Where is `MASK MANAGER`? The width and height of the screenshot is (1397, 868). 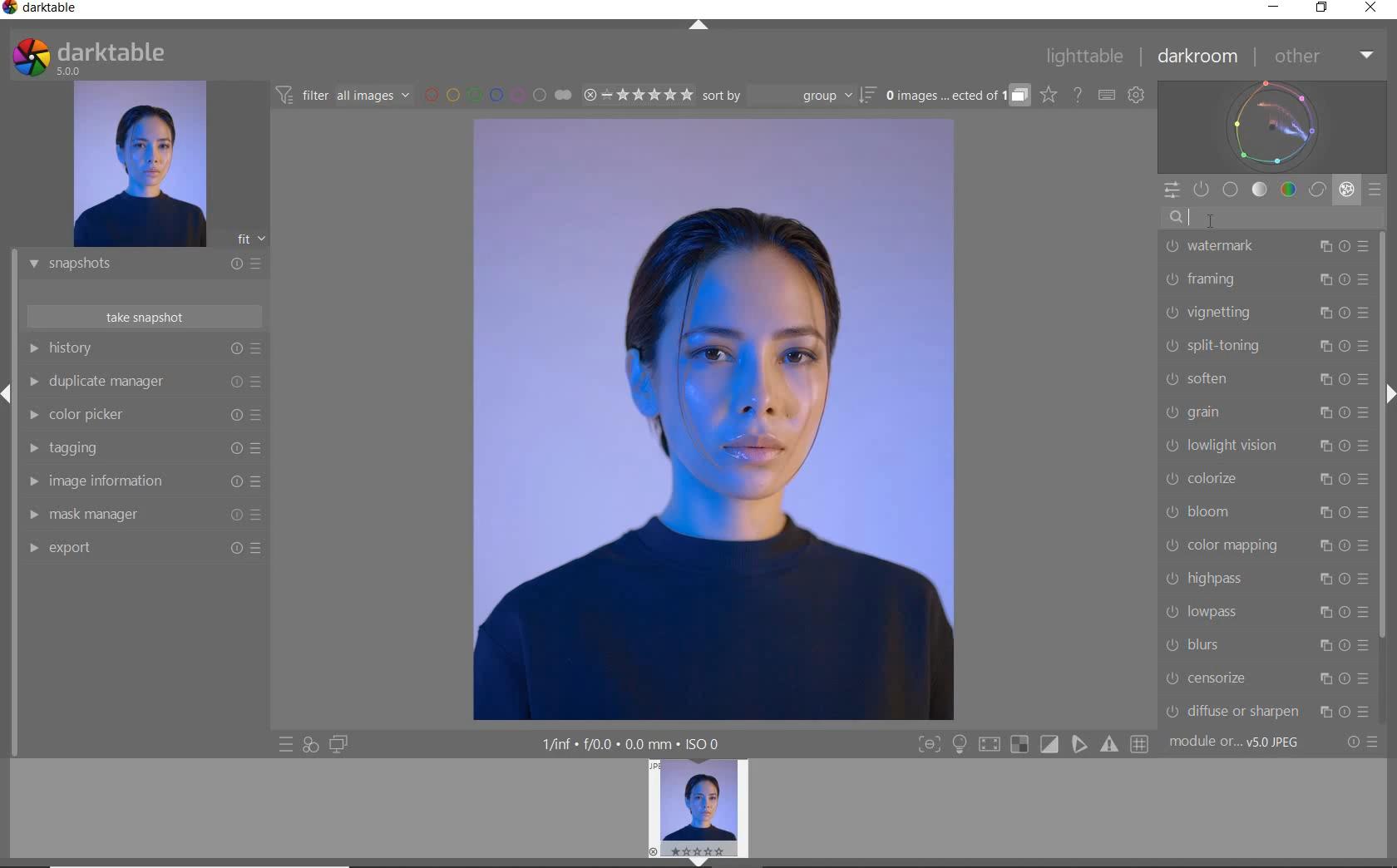
MASK MANAGER is located at coordinates (137, 515).